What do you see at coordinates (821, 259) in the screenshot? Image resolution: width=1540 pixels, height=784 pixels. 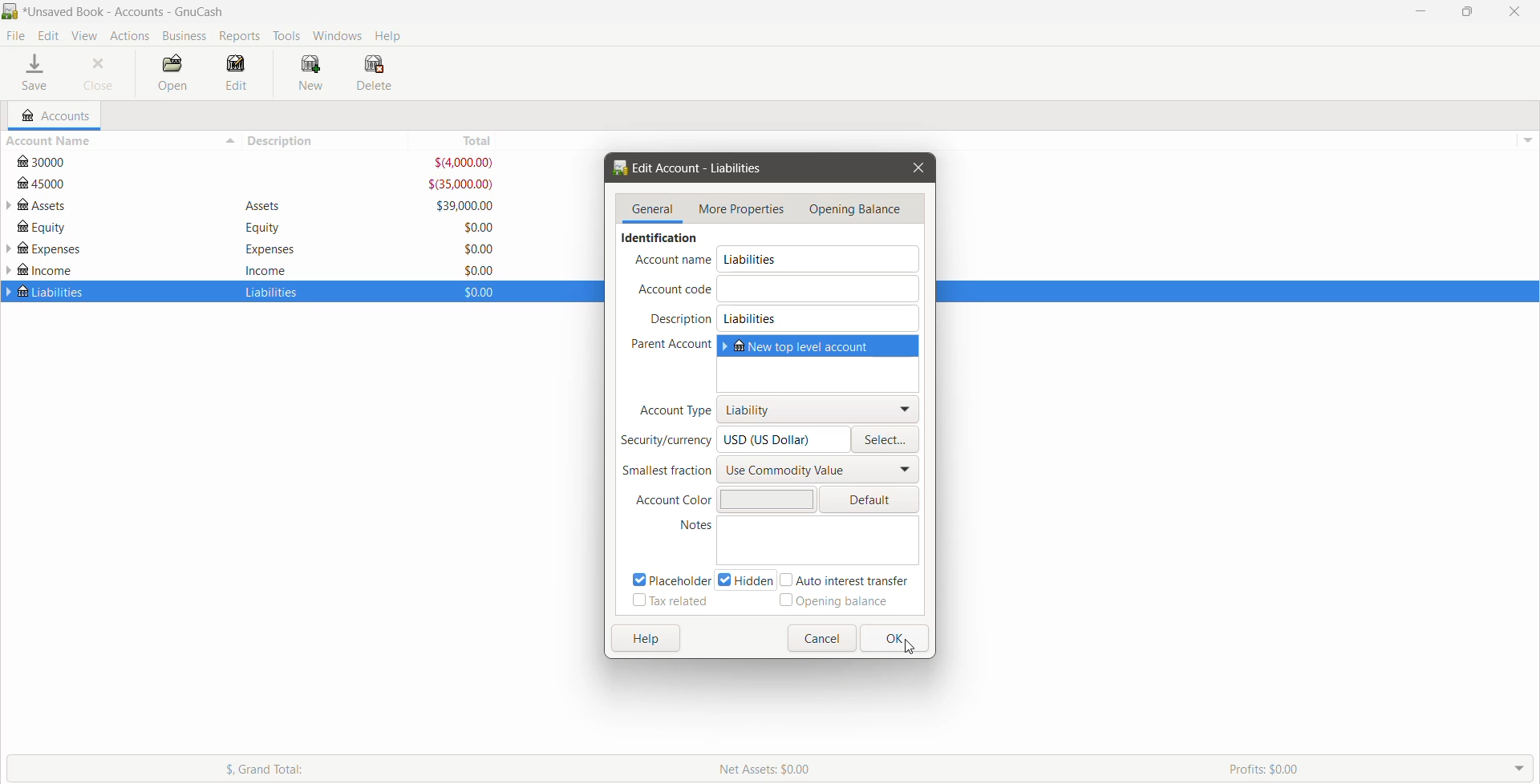 I see `Account name` at bounding box center [821, 259].